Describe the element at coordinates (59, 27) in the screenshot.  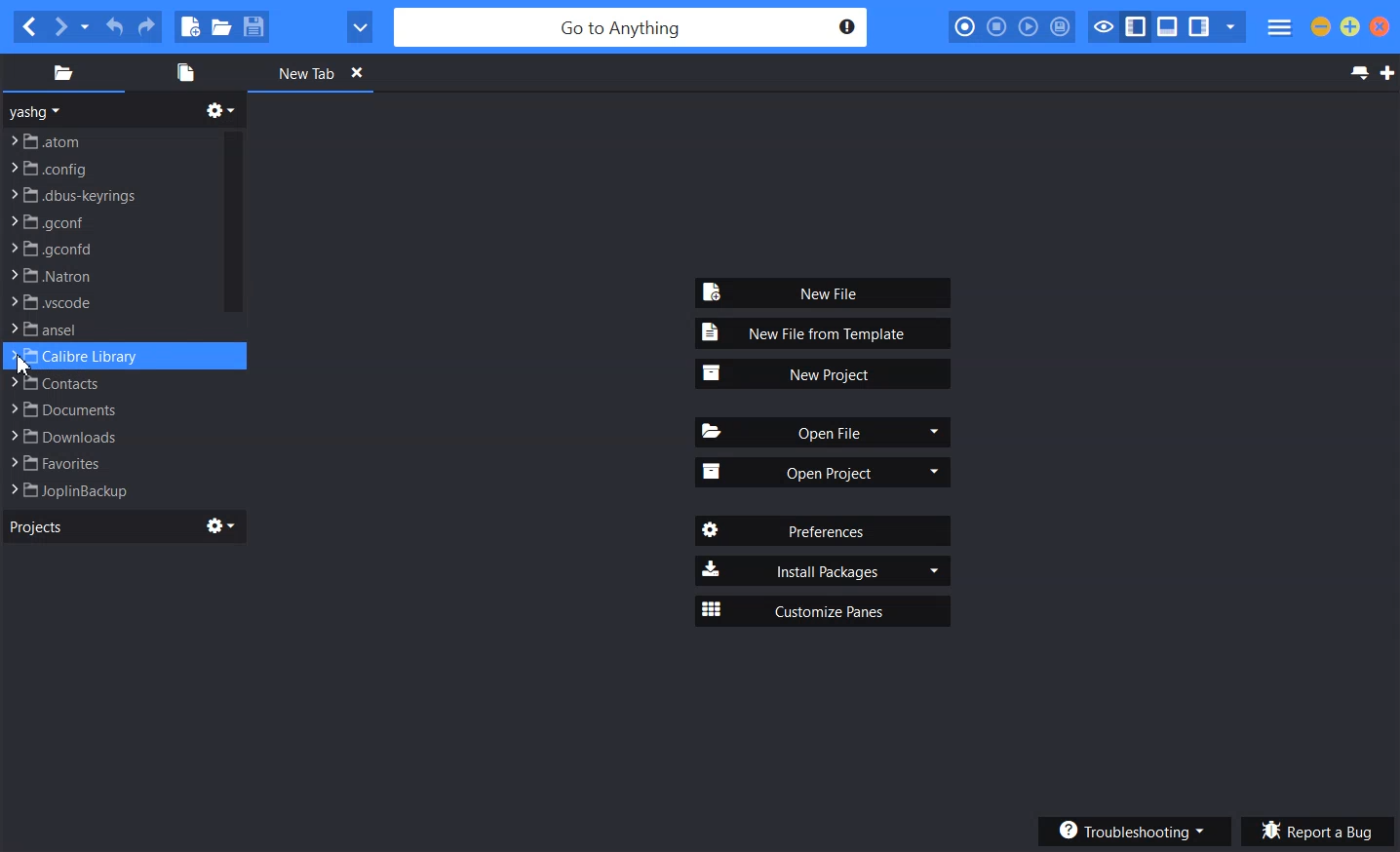
I see `Go Forward one location` at that location.